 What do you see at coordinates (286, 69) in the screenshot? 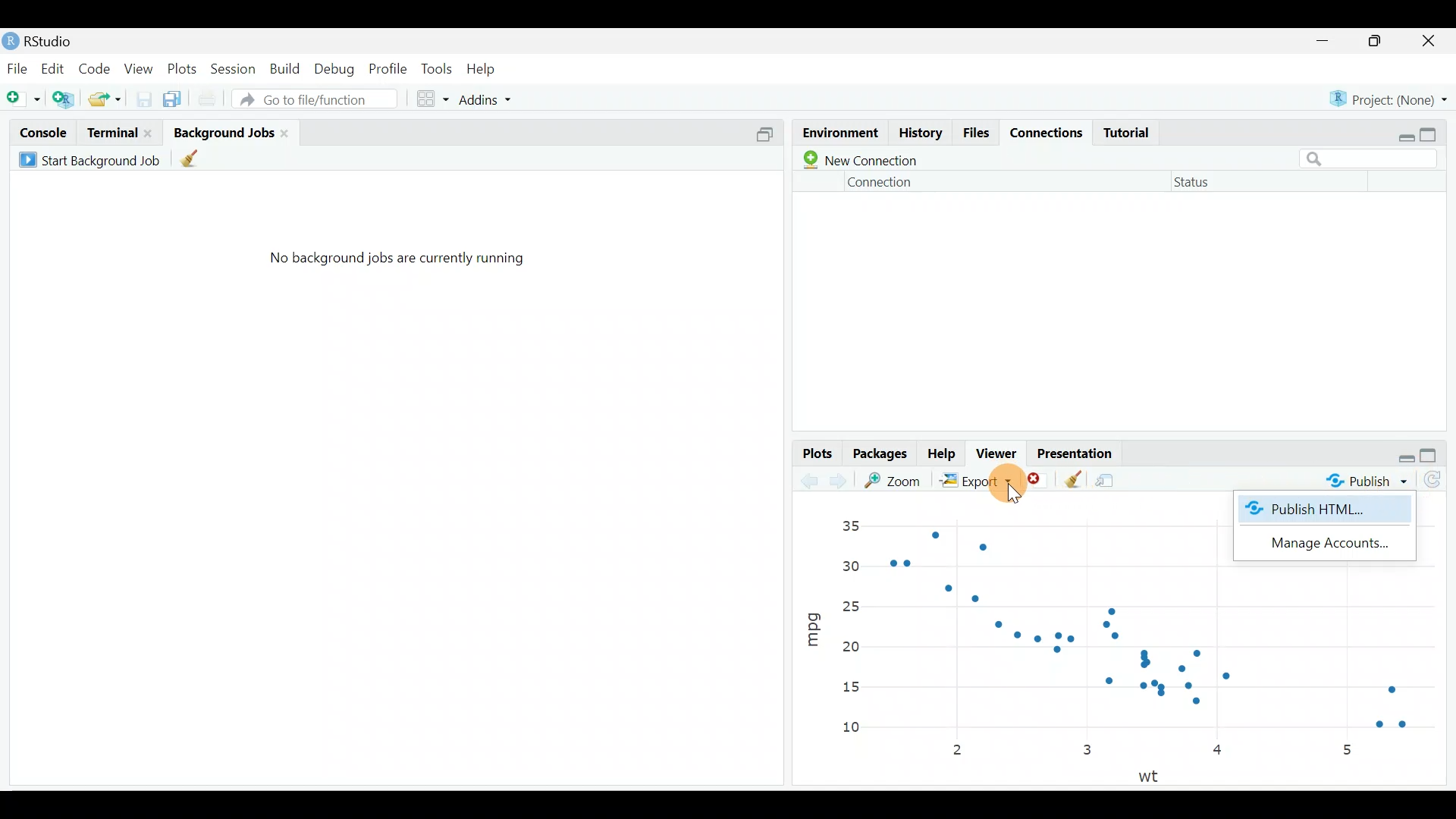
I see `Build` at bounding box center [286, 69].